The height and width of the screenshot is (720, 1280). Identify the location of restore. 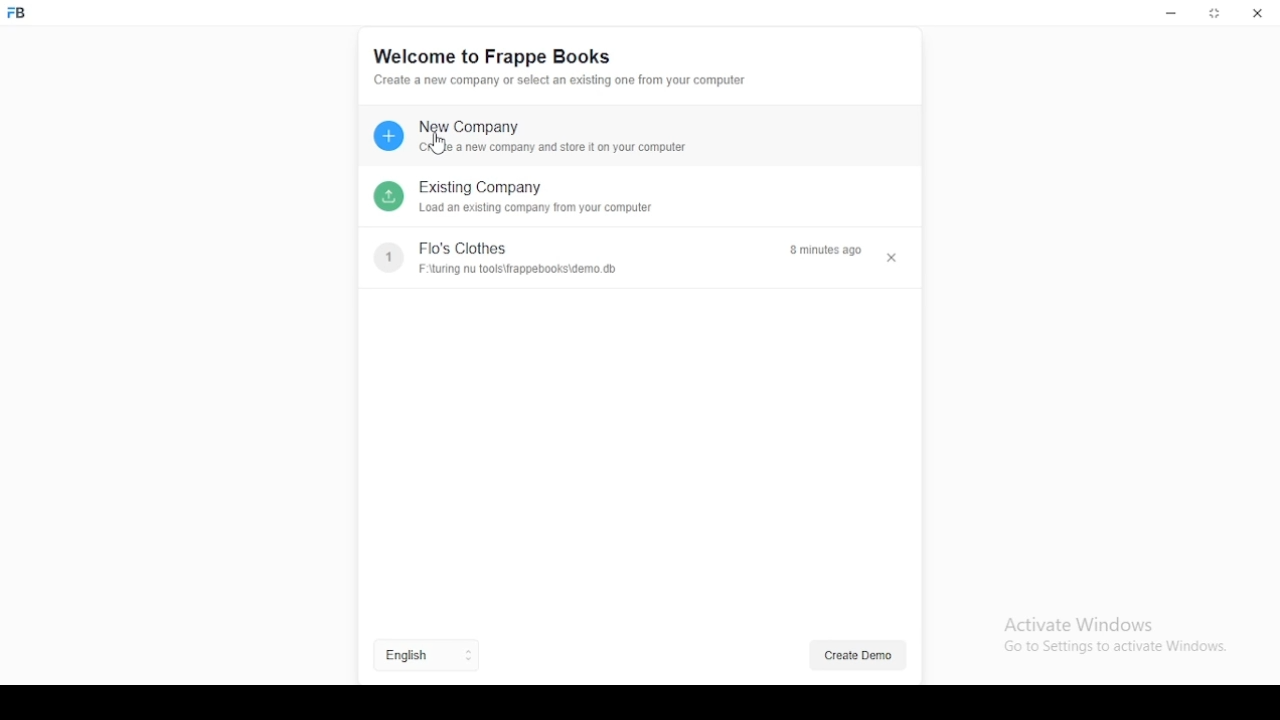
(1216, 13).